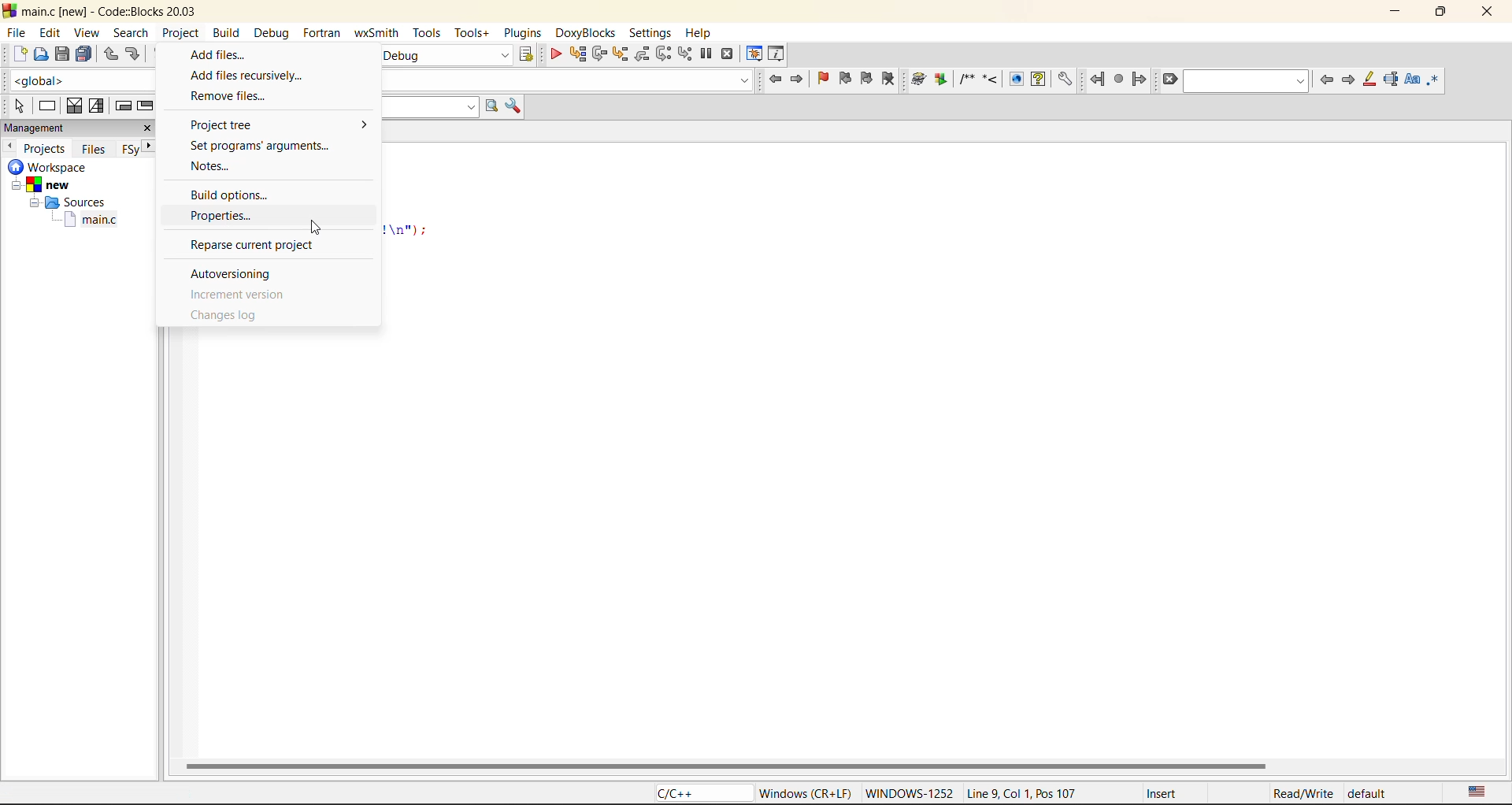 Image resolution: width=1512 pixels, height=805 pixels. What do you see at coordinates (686, 54) in the screenshot?
I see `step into instruction` at bounding box center [686, 54].